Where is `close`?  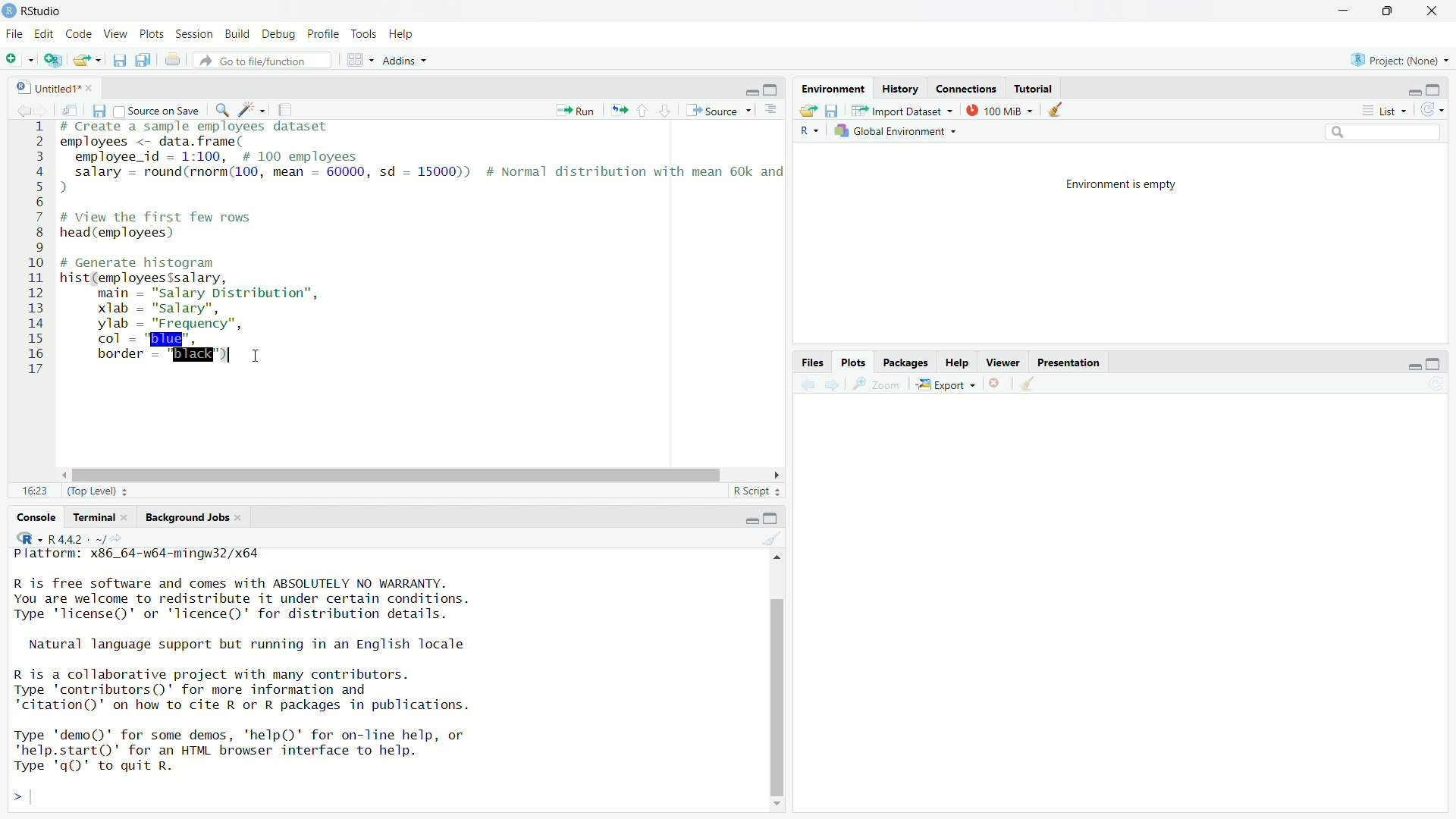
close is located at coordinates (126, 518).